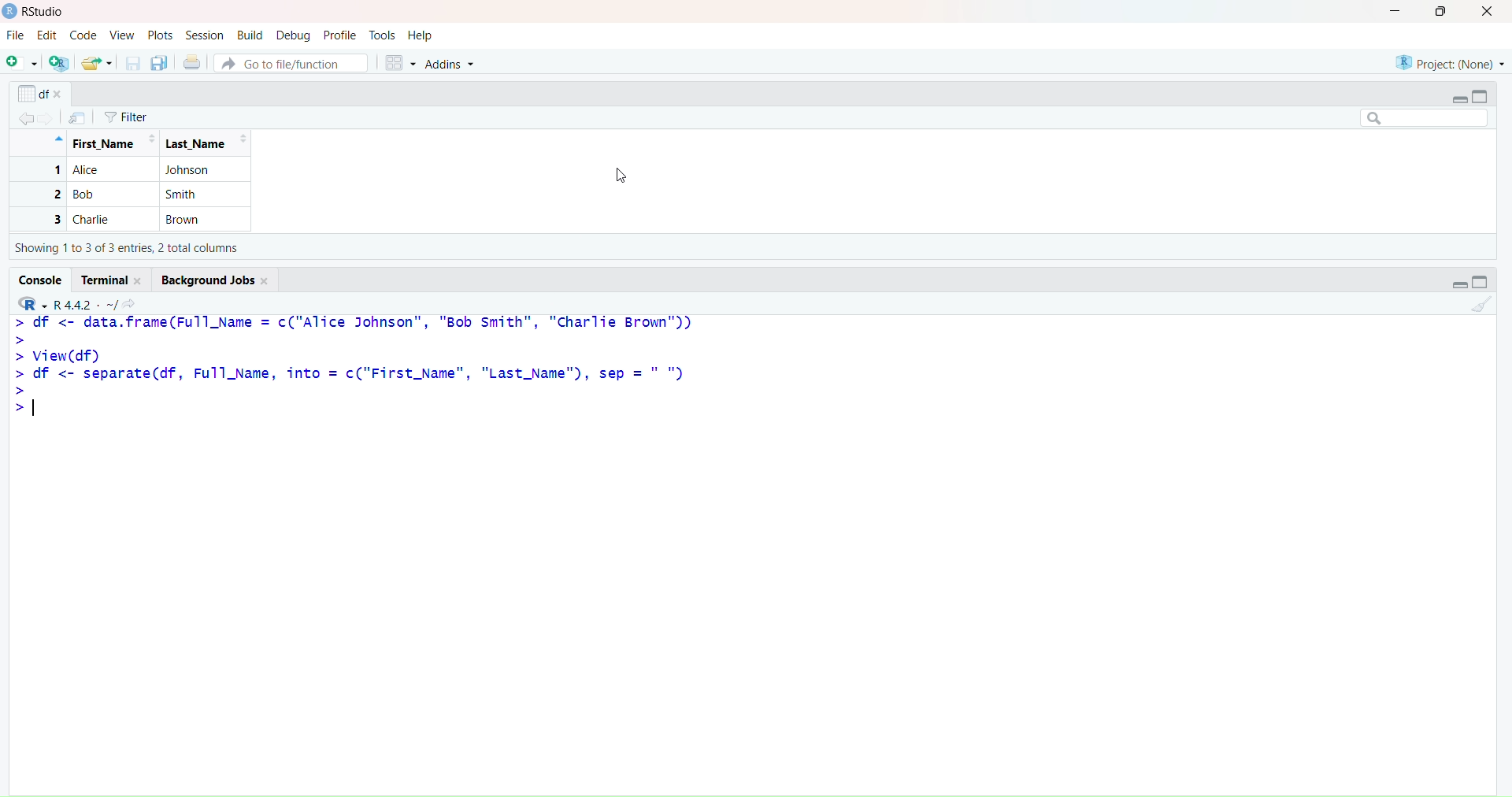  What do you see at coordinates (22, 117) in the screenshot?
I see `Go back to the previous source location (Ctrl + F9)` at bounding box center [22, 117].